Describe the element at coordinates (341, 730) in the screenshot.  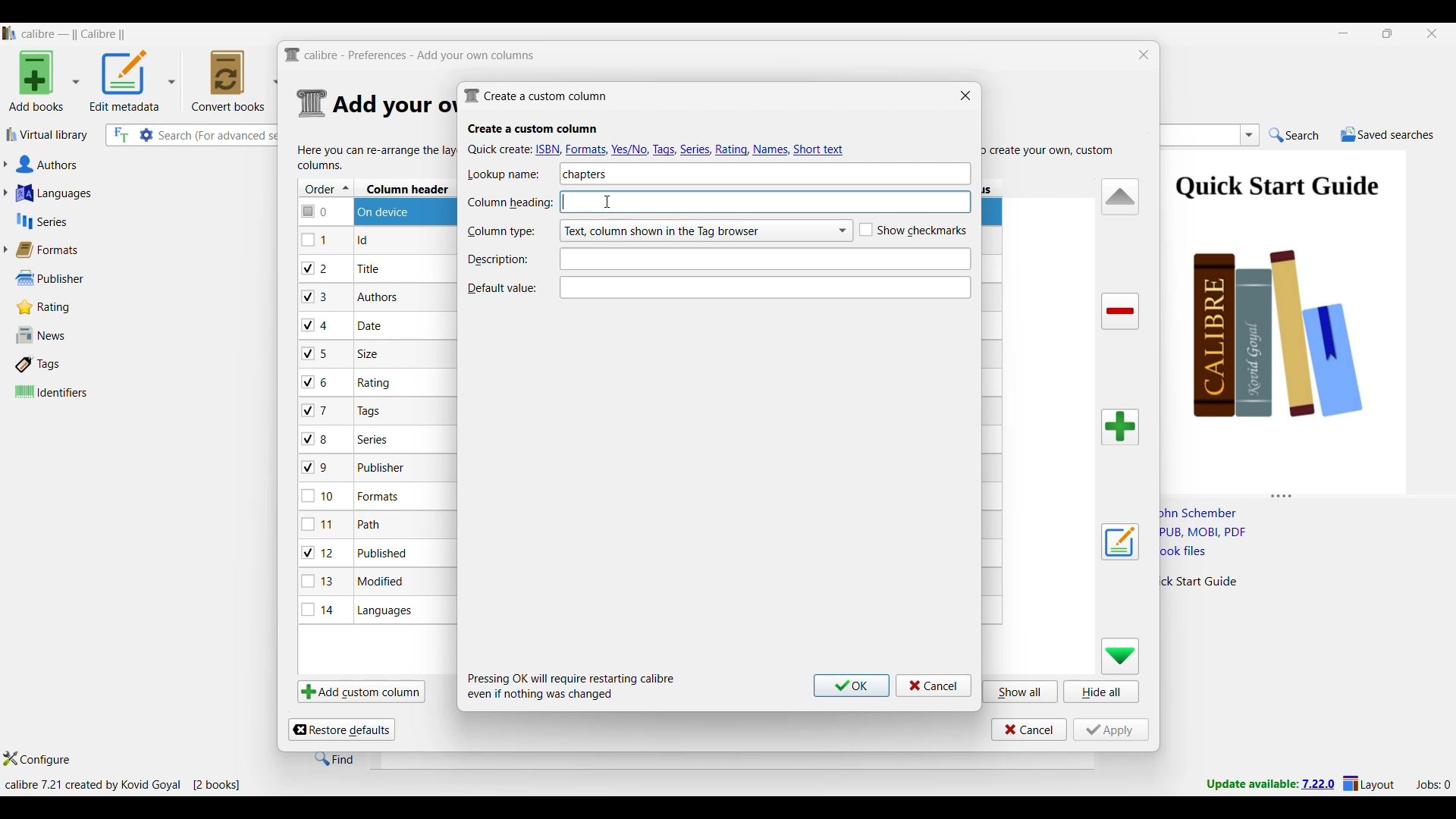
I see `Restore defaults` at that location.